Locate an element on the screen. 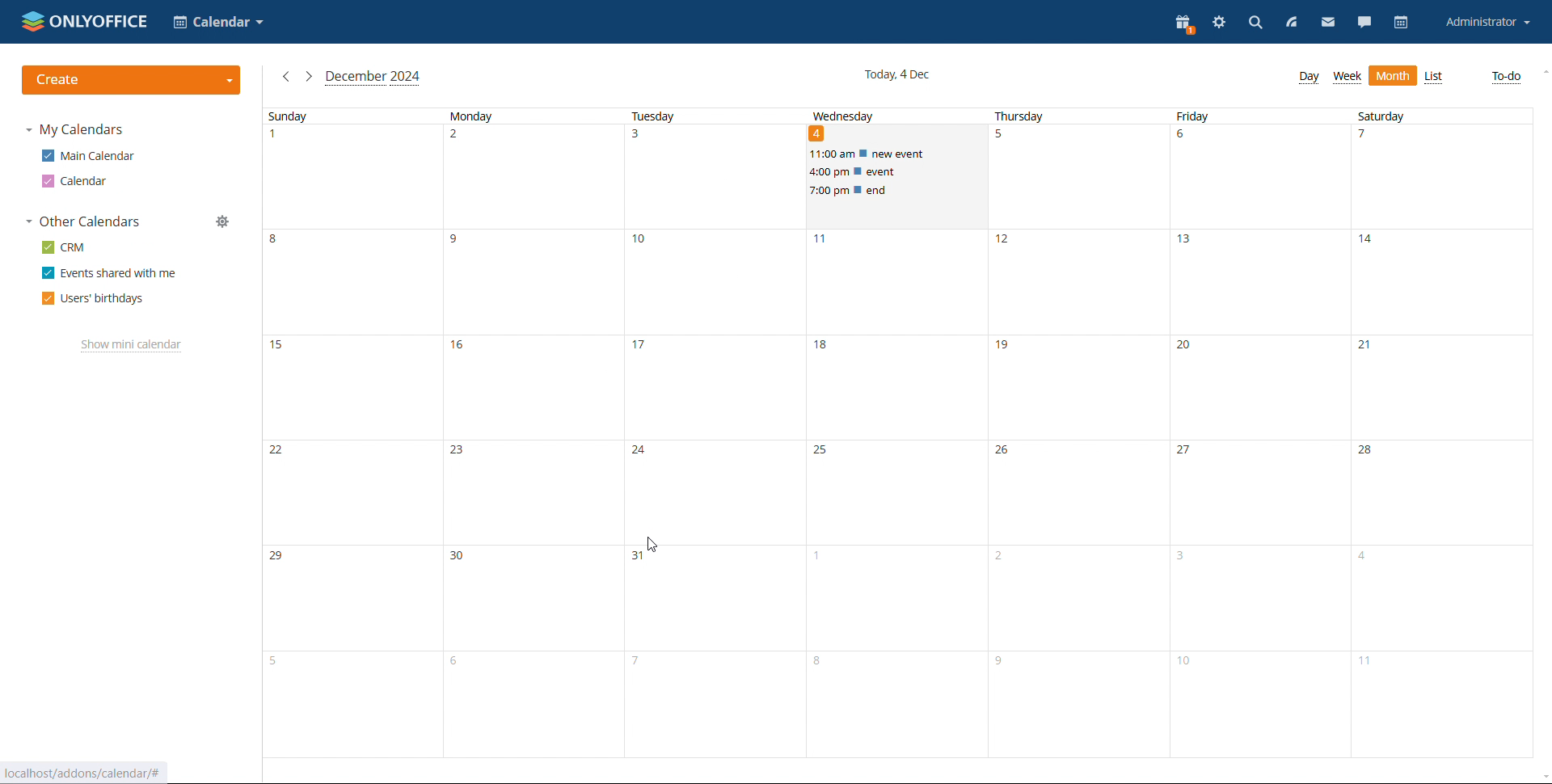 The height and width of the screenshot is (784, 1552). my calendars is located at coordinates (74, 131).